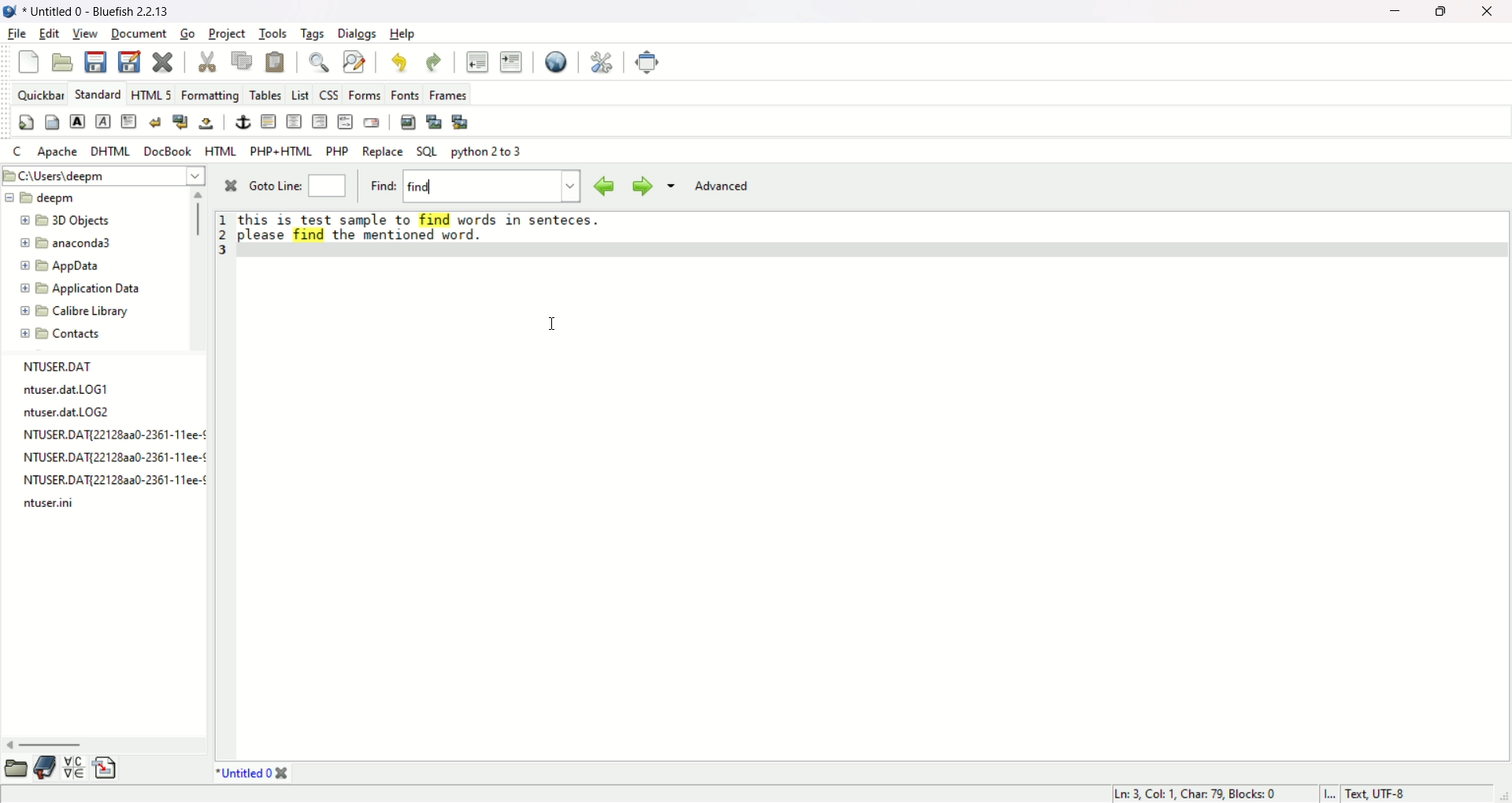  Describe the element at coordinates (128, 121) in the screenshot. I see `paragraph` at that location.